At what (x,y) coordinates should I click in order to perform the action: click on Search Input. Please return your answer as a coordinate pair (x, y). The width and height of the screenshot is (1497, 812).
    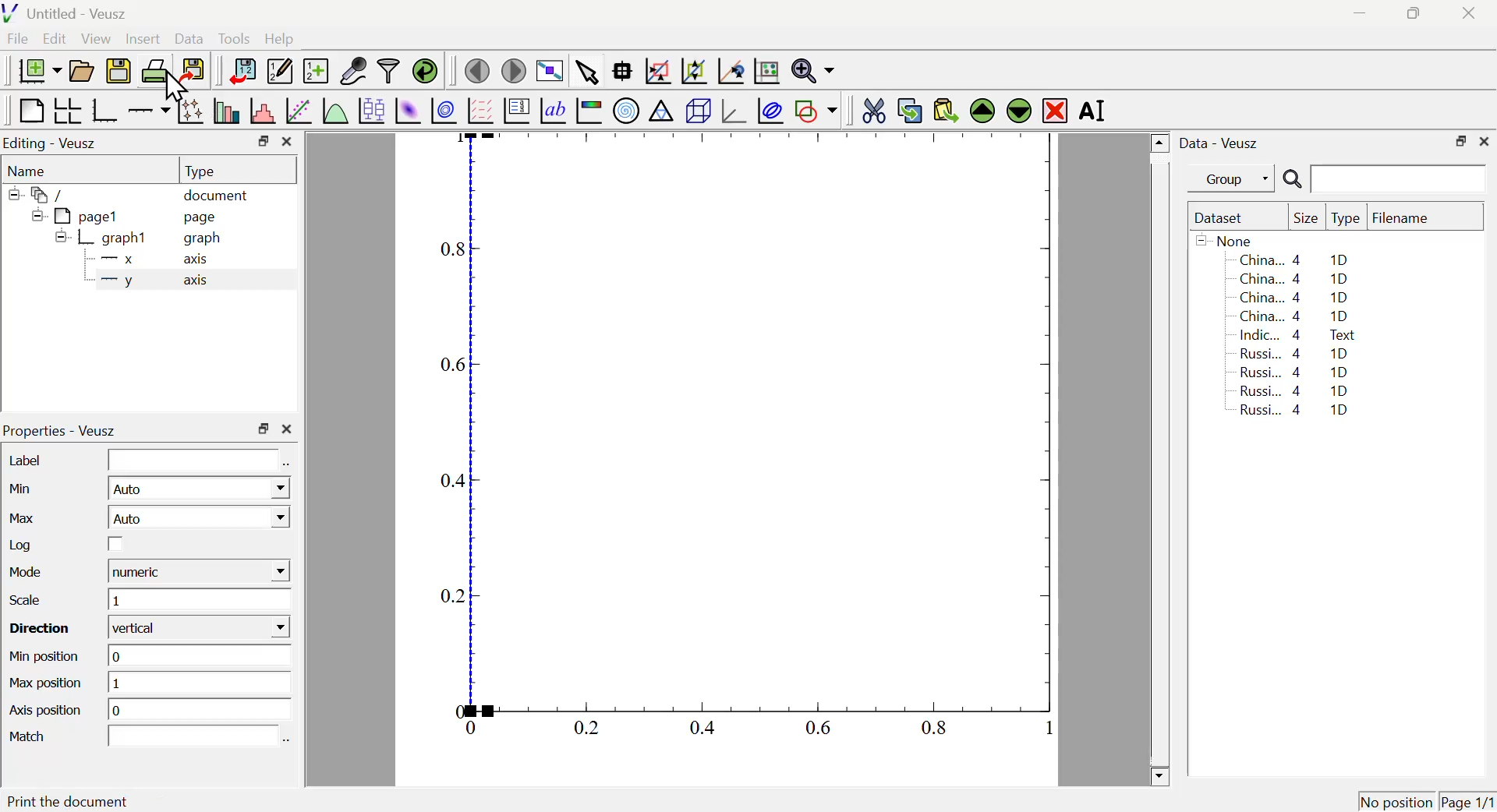
    Looking at the image, I should click on (1400, 178).